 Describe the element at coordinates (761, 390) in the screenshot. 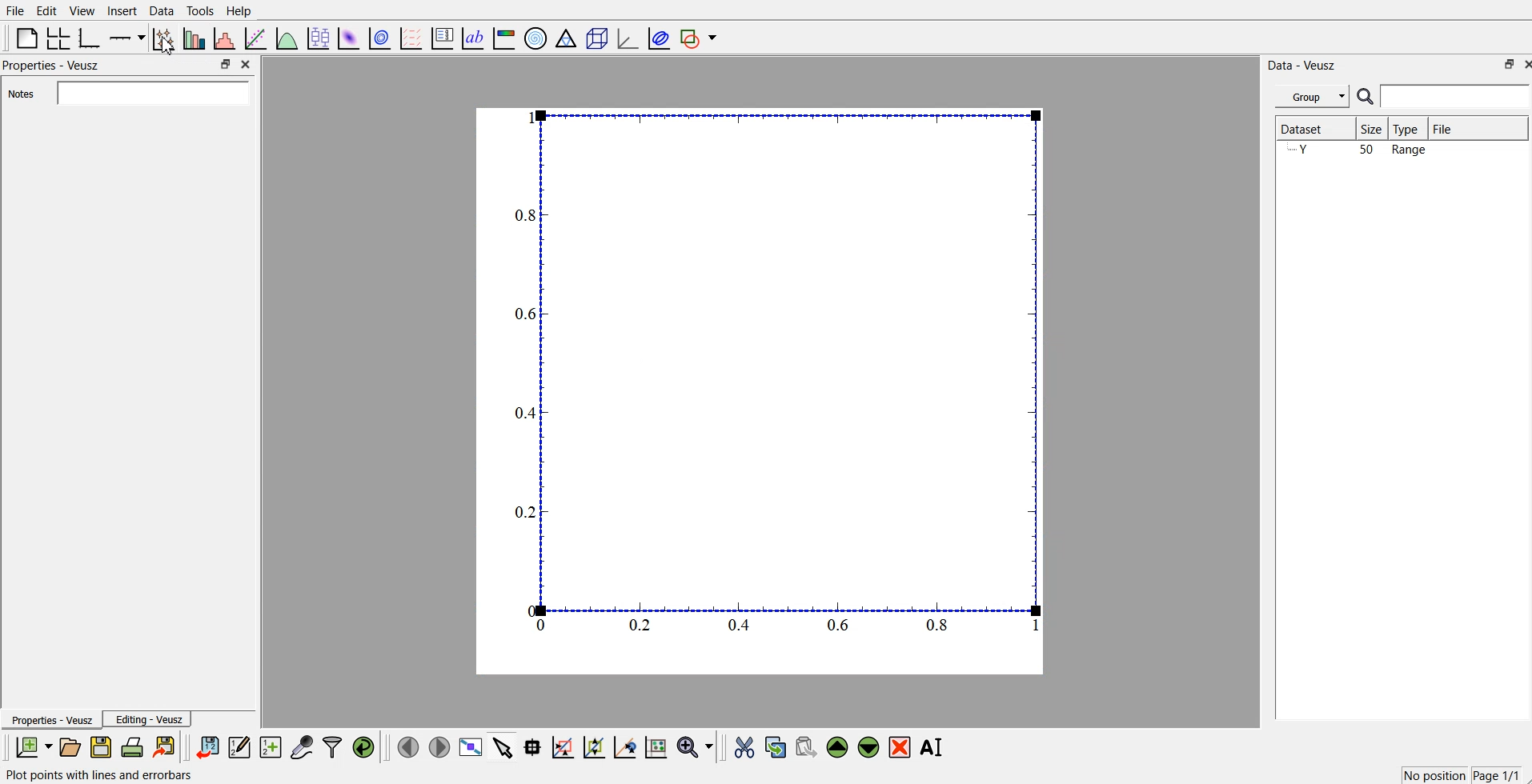

I see `graph chart` at that location.